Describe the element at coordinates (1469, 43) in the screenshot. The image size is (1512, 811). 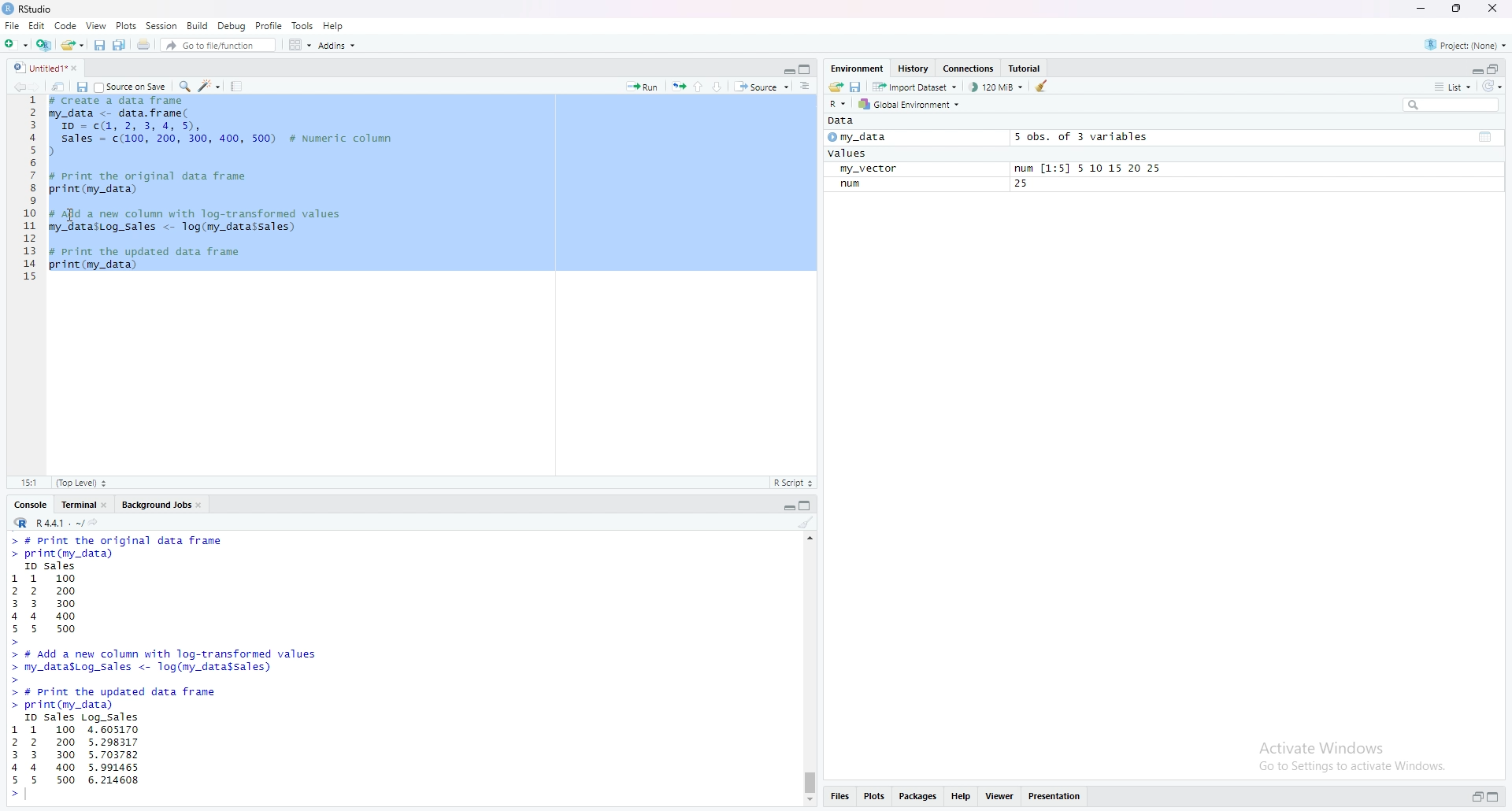
I see `Project:(None)` at that location.